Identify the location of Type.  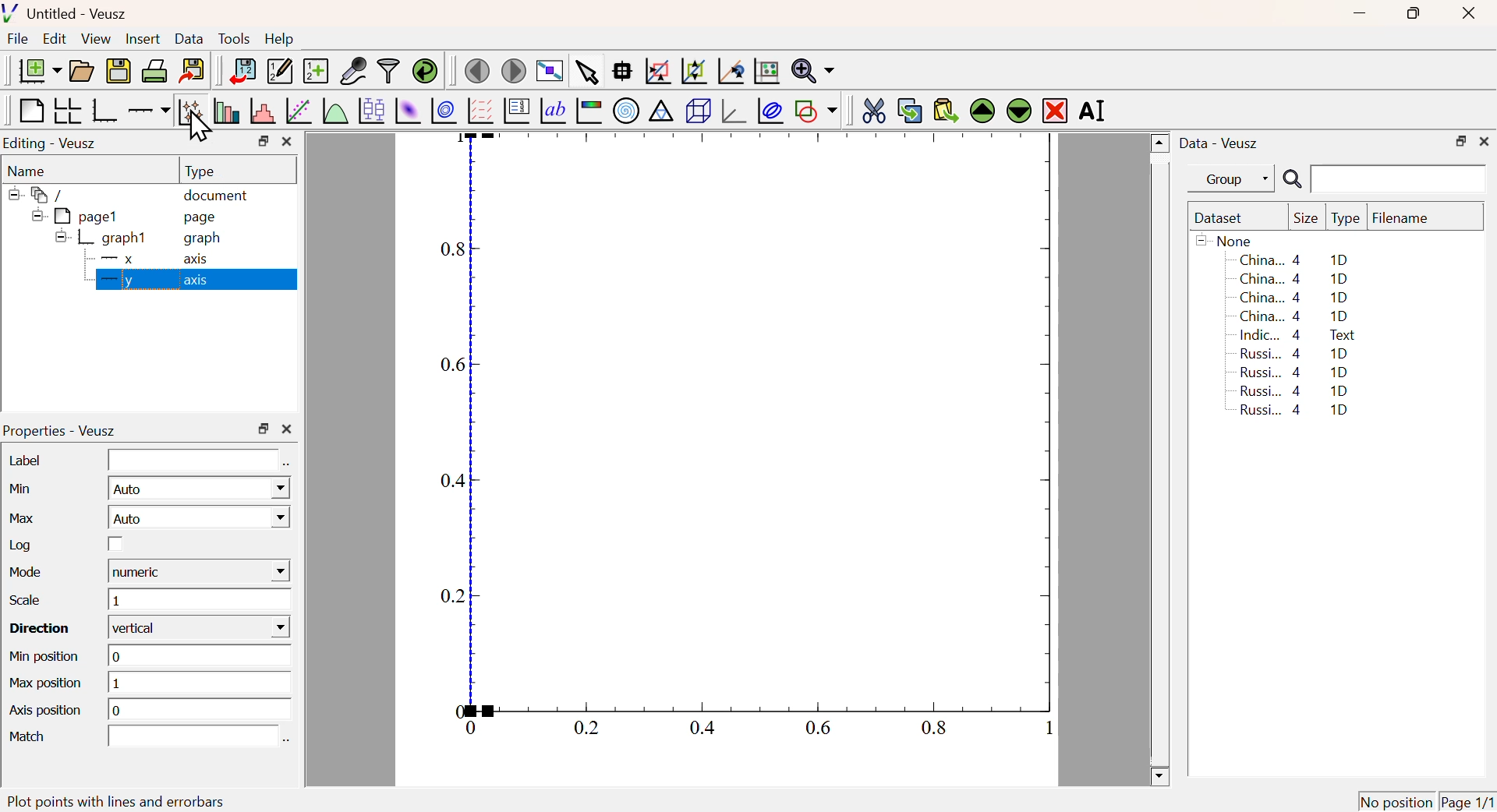
(1346, 219).